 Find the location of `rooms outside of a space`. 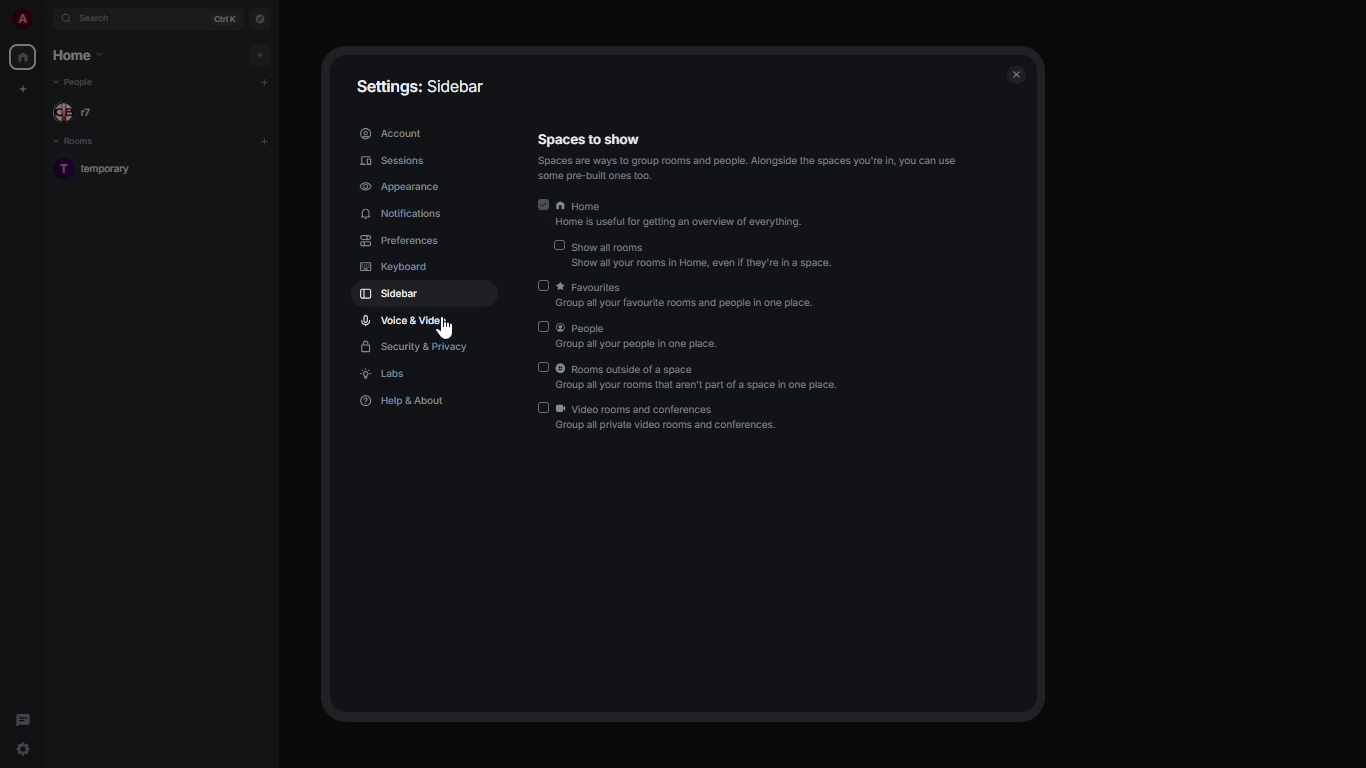

rooms outside of a space is located at coordinates (702, 377).